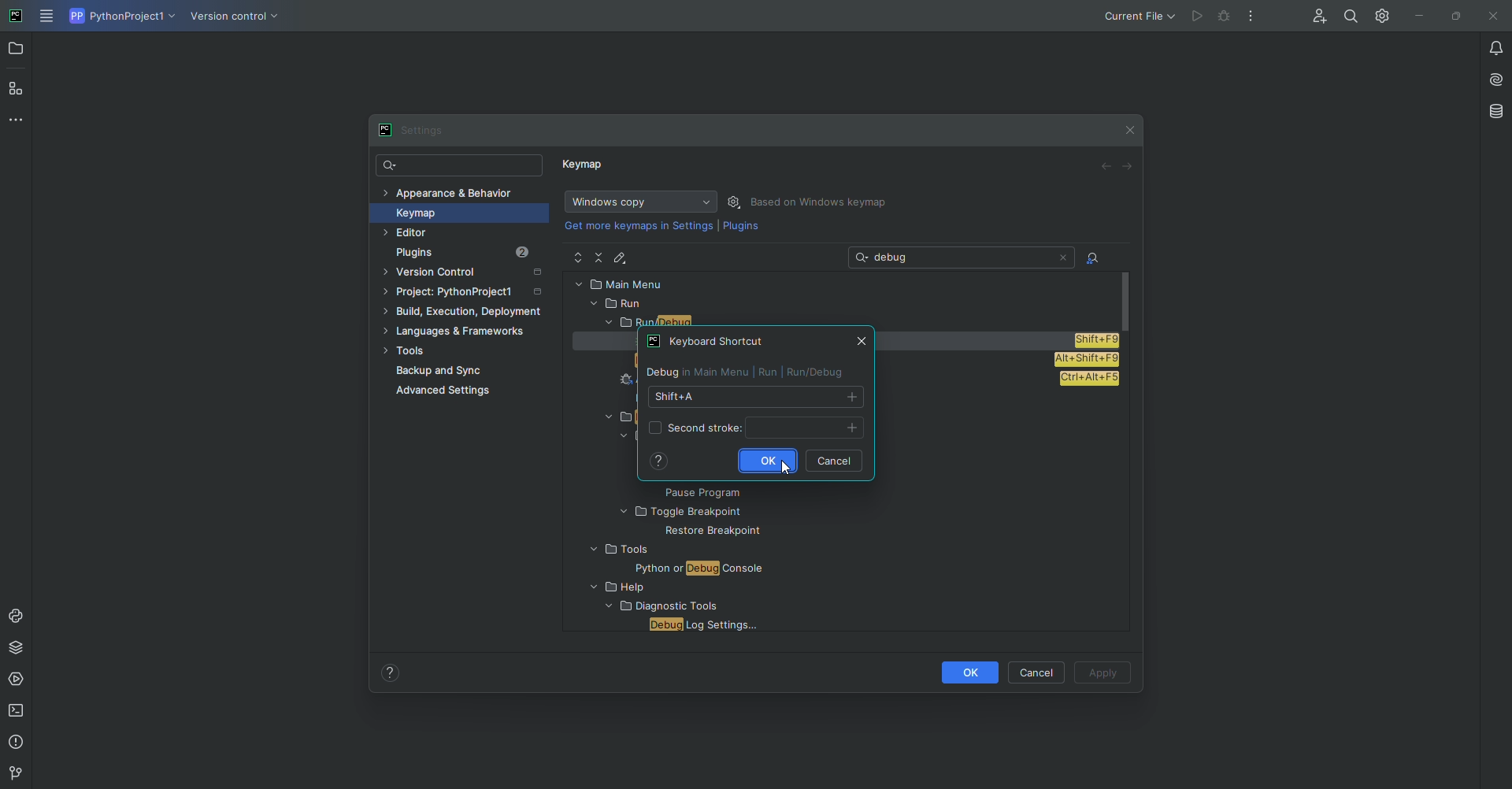 The height and width of the screenshot is (789, 1512). Describe the element at coordinates (678, 588) in the screenshot. I see `FOLDER NAME` at that location.